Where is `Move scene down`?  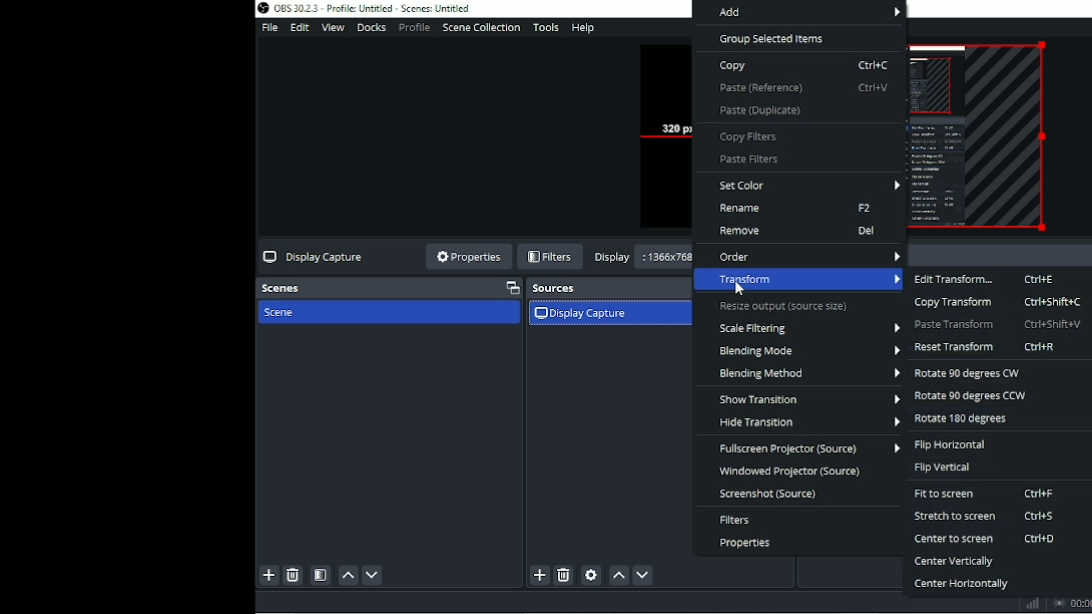 Move scene down is located at coordinates (374, 575).